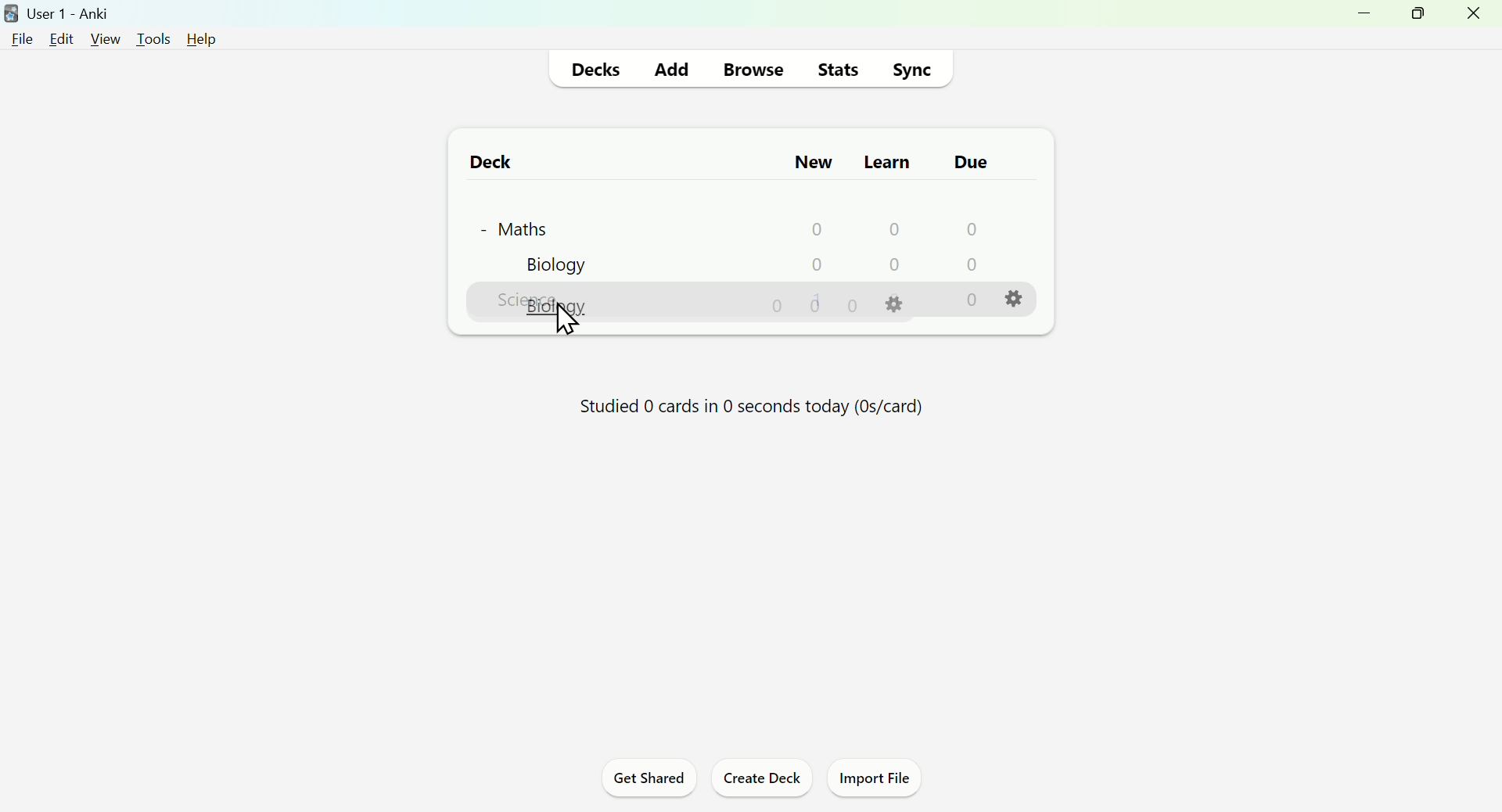 This screenshot has width=1502, height=812. Describe the element at coordinates (104, 38) in the screenshot. I see `View` at that location.